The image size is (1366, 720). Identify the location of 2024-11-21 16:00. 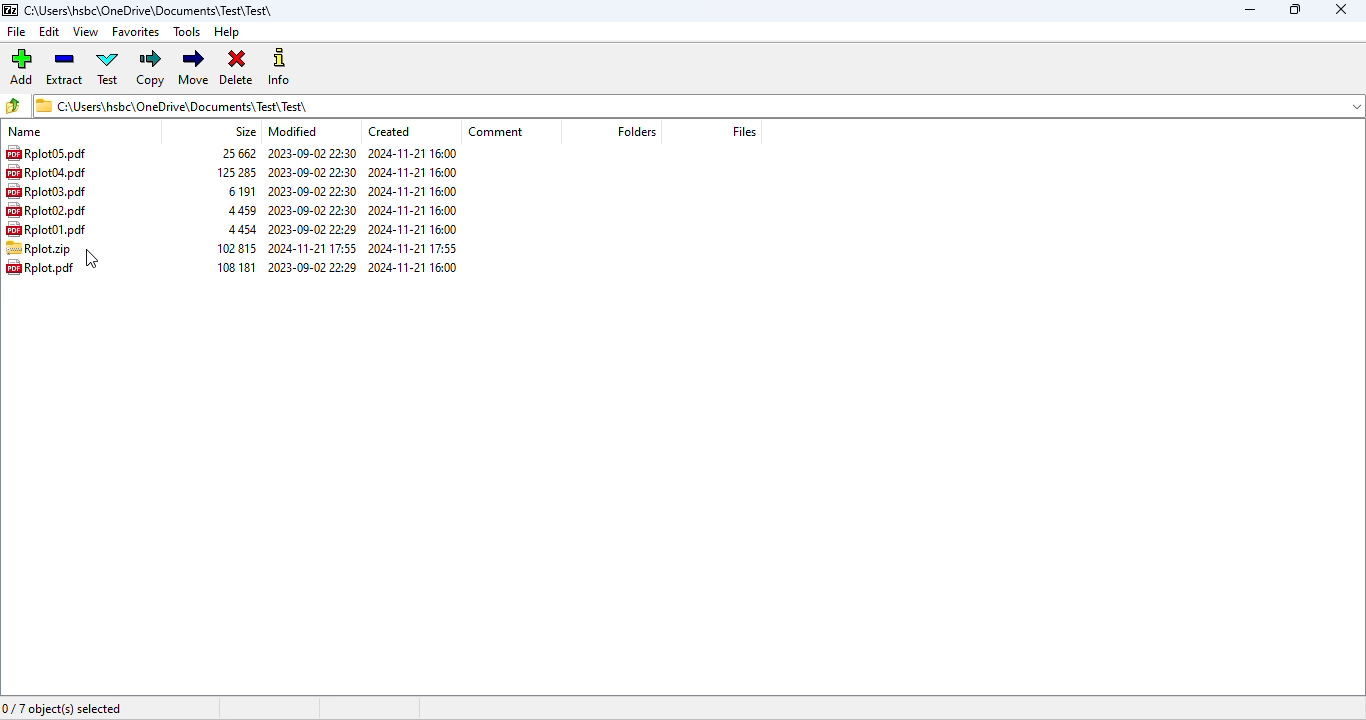
(415, 229).